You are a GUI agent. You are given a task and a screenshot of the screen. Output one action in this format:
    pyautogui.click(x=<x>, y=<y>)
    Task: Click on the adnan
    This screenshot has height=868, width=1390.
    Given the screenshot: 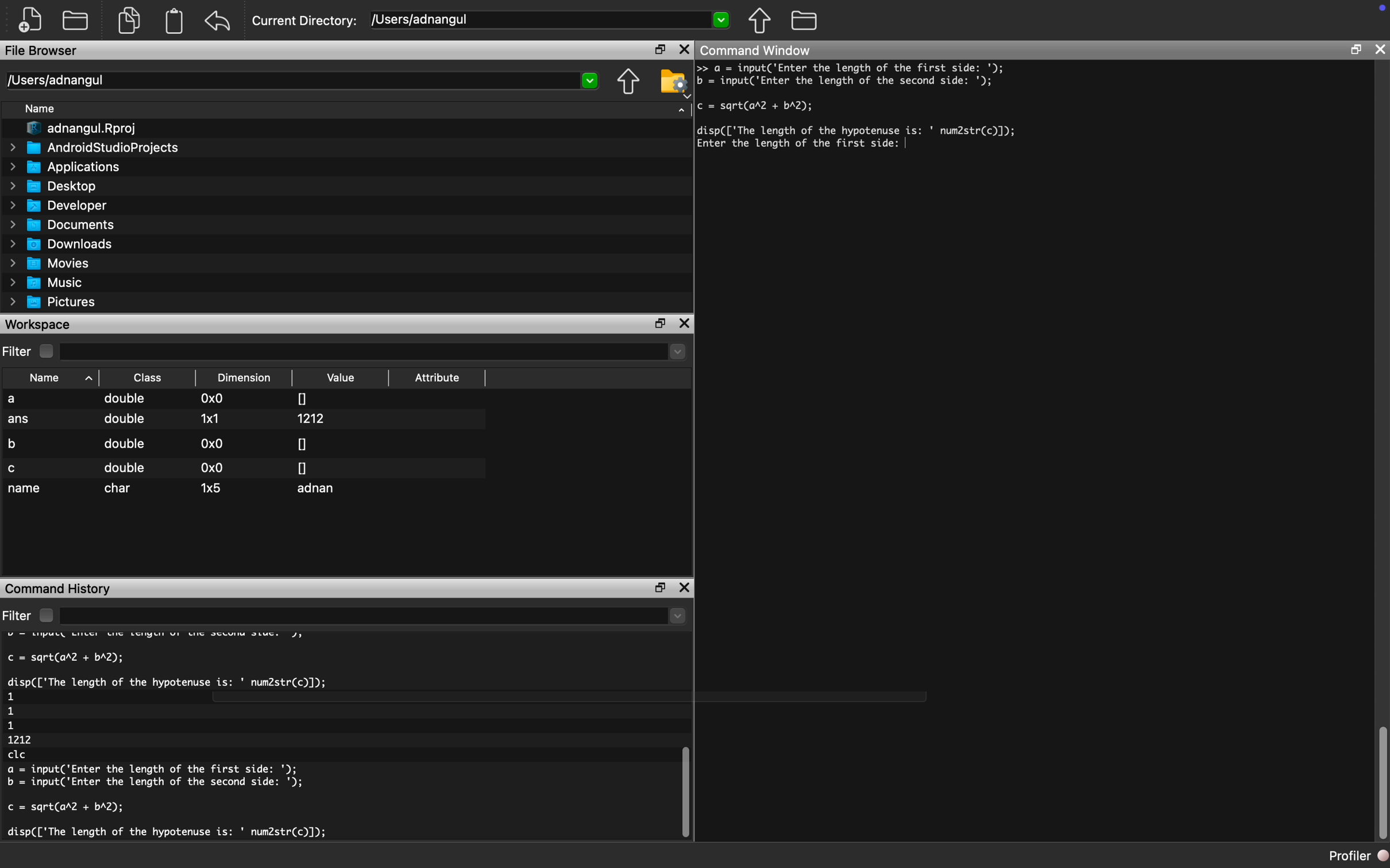 What is the action you would take?
    pyautogui.click(x=320, y=490)
    